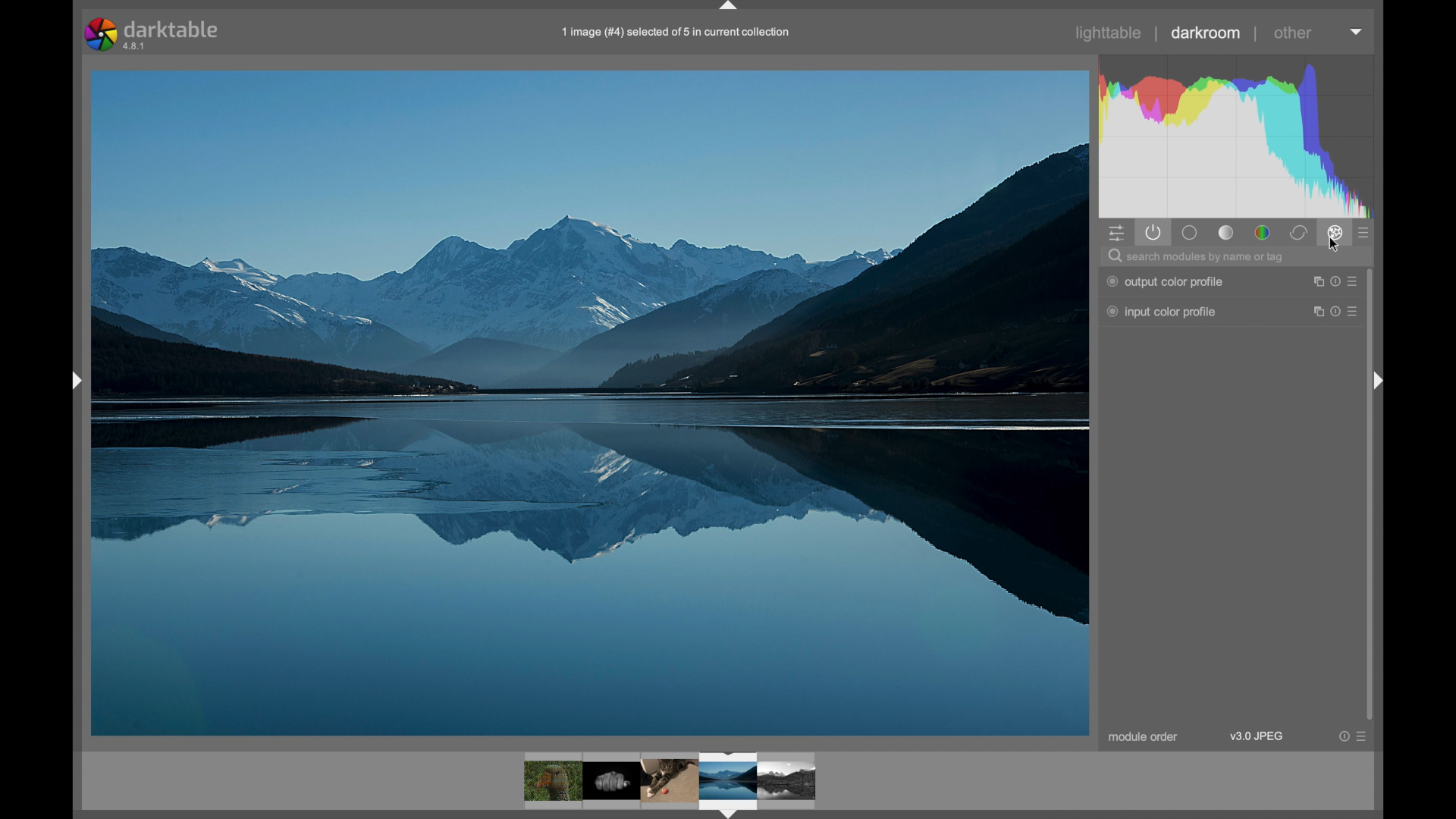 This screenshot has height=819, width=1456. I want to click on more options, so click(1336, 312).